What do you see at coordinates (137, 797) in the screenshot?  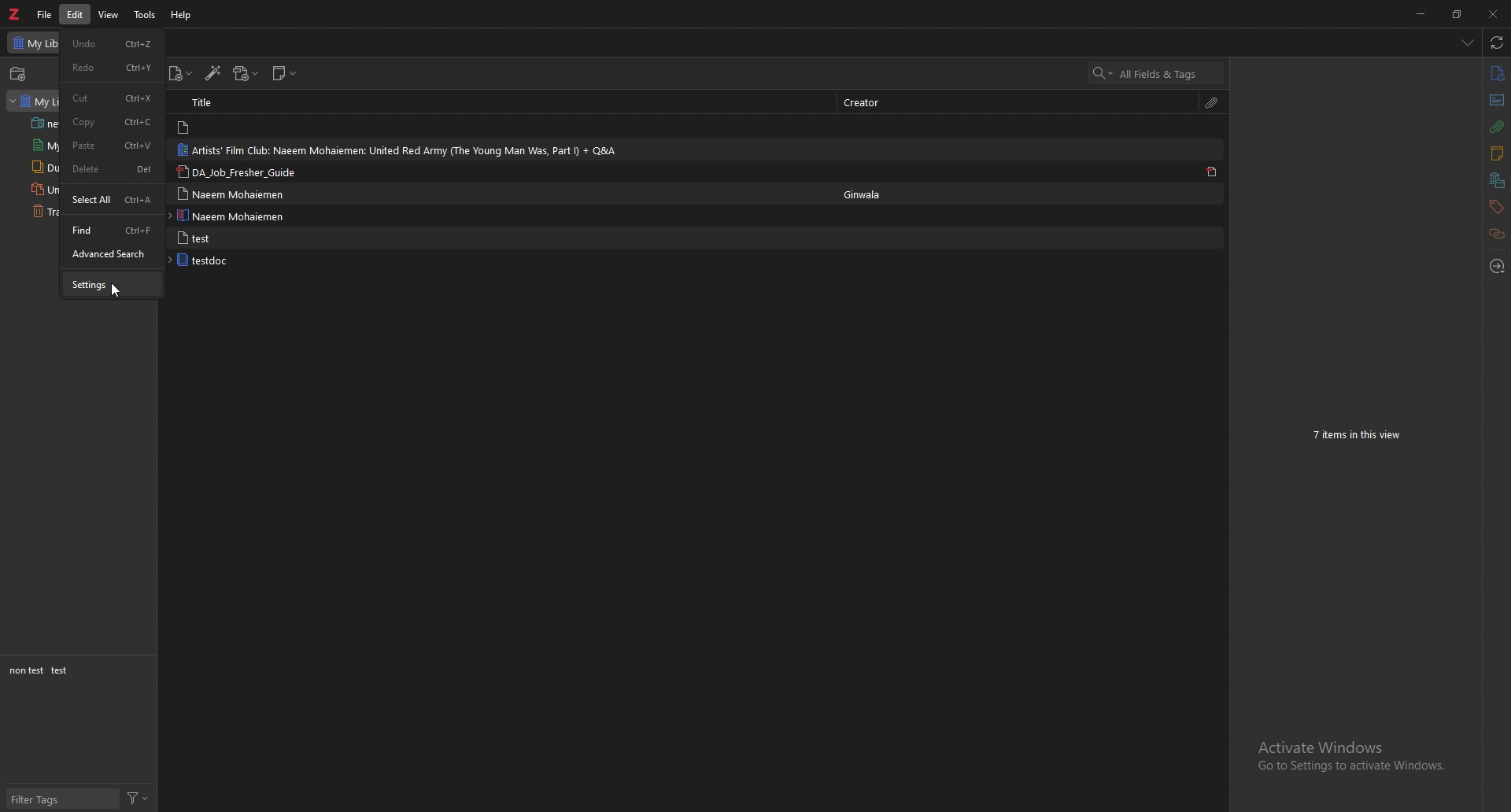 I see `filter` at bounding box center [137, 797].